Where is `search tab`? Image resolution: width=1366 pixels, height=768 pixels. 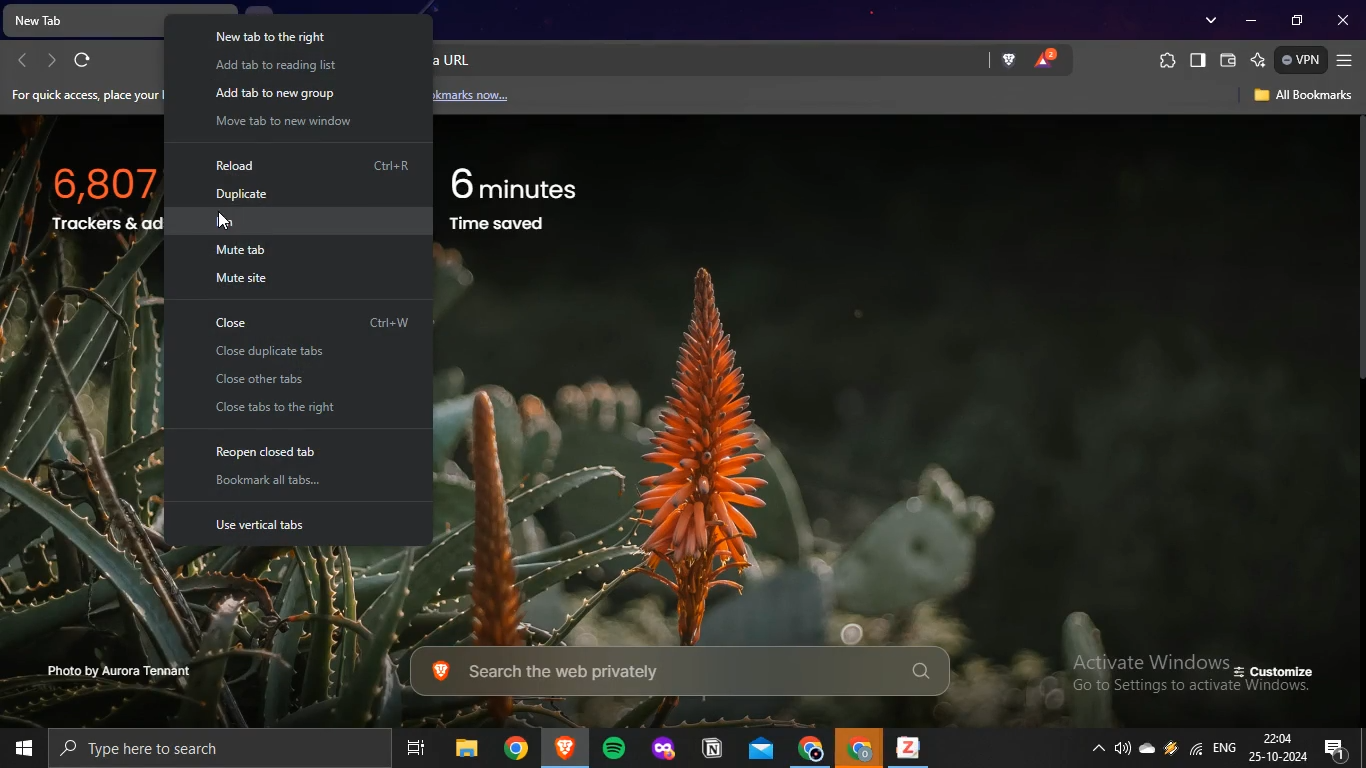 search tab is located at coordinates (669, 673).